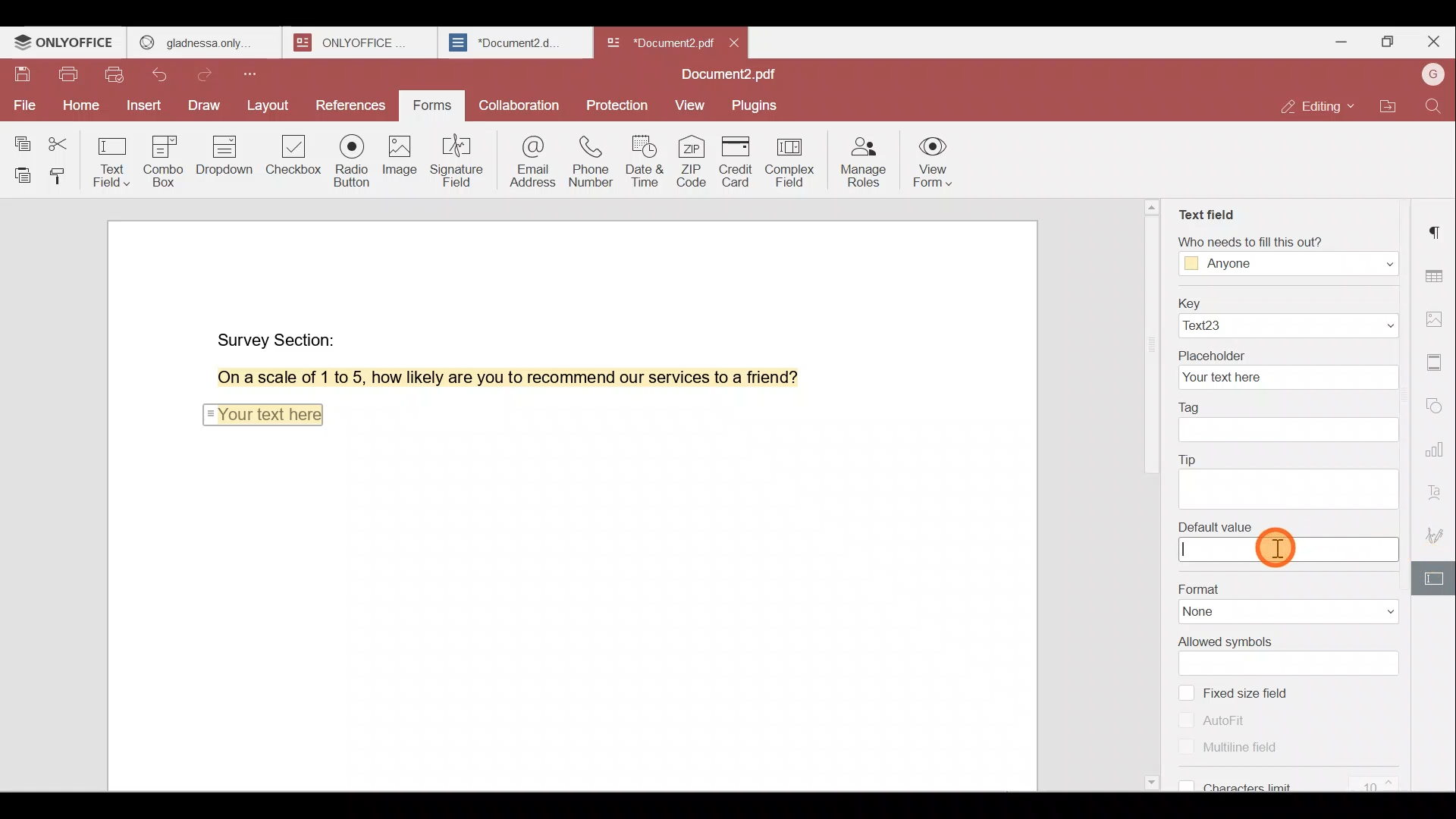 Image resolution: width=1456 pixels, height=819 pixels. Describe the element at coordinates (256, 74) in the screenshot. I see `Customize quick access toolbar` at that location.